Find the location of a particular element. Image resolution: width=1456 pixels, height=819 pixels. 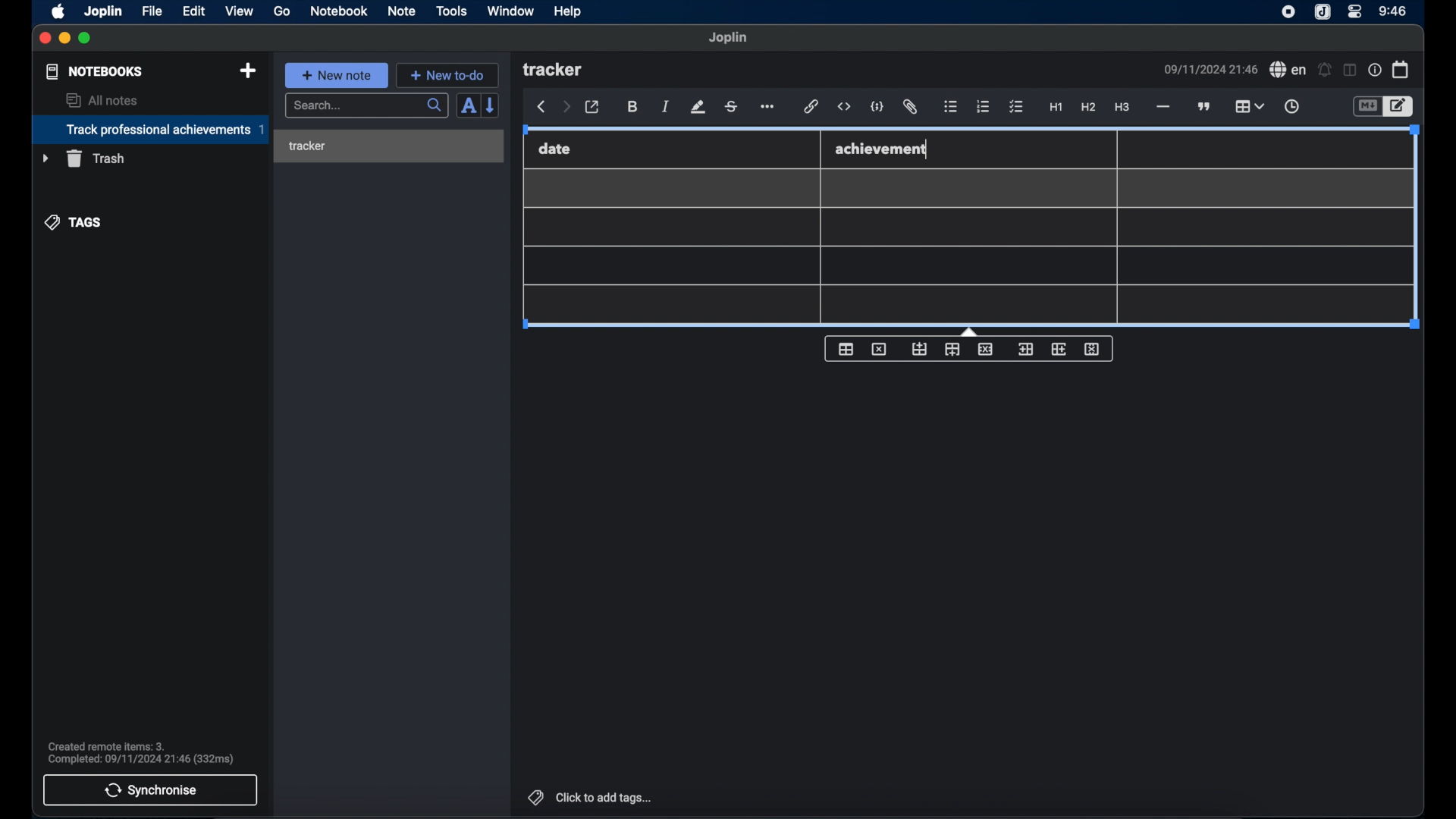

sync notification is located at coordinates (140, 753).